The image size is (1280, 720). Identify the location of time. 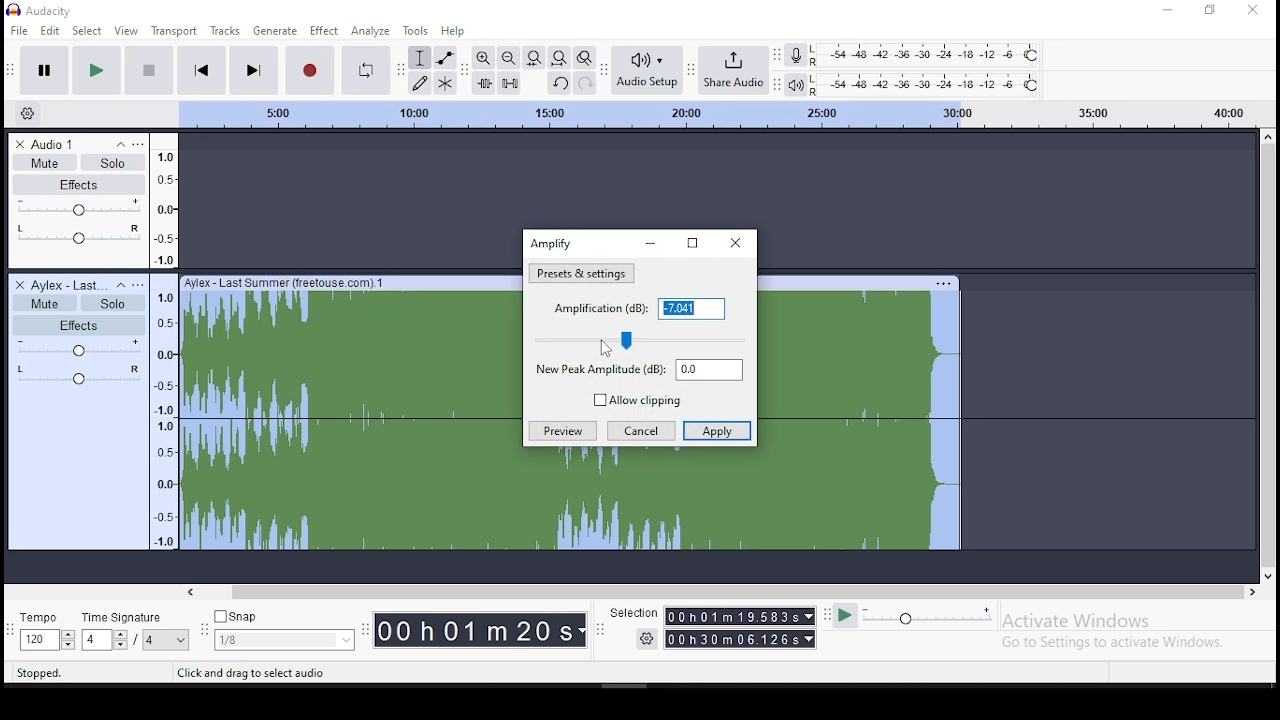
(482, 632).